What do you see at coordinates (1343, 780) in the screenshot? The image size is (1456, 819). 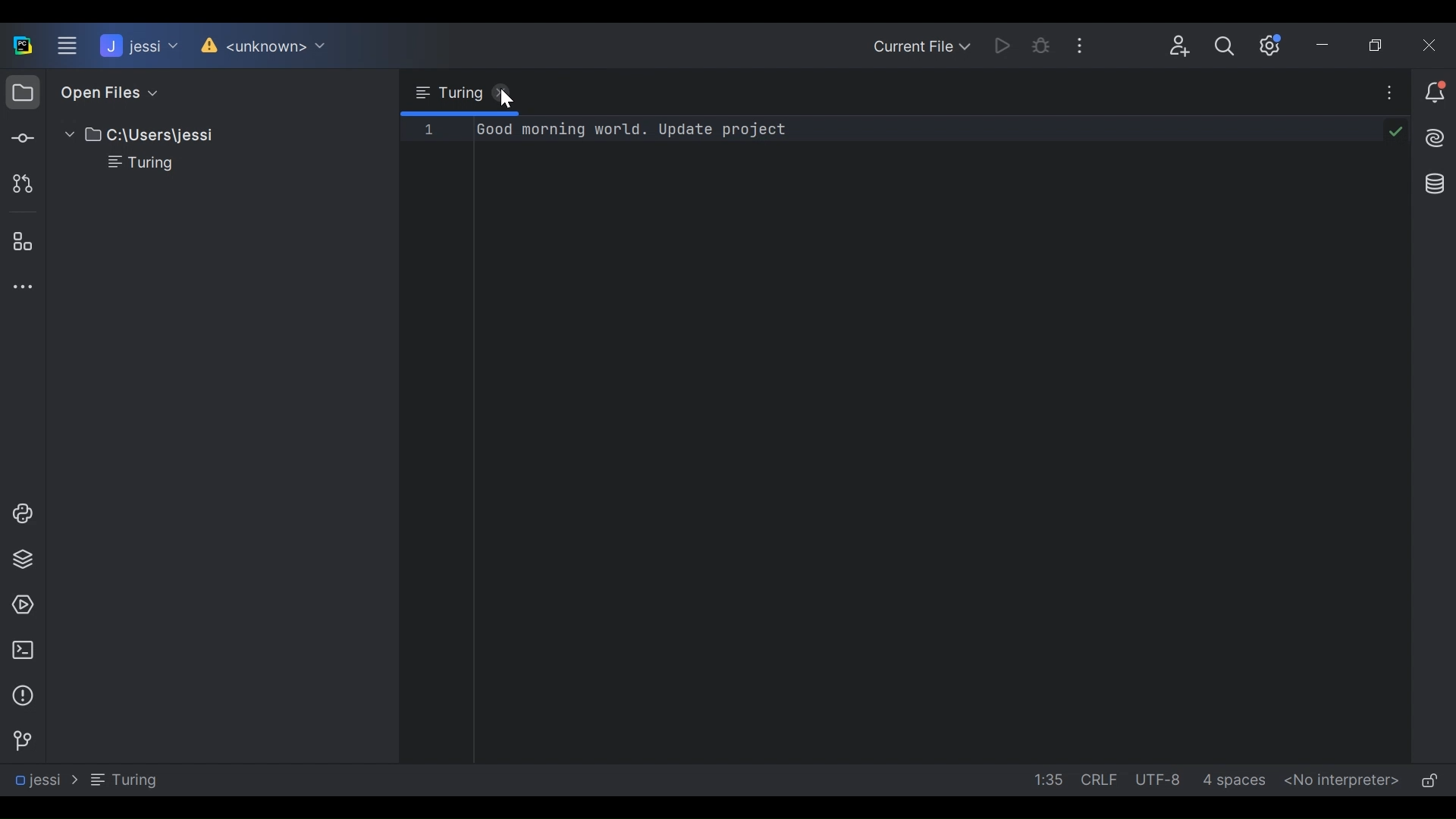 I see `No interpreter` at bounding box center [1343, 780].